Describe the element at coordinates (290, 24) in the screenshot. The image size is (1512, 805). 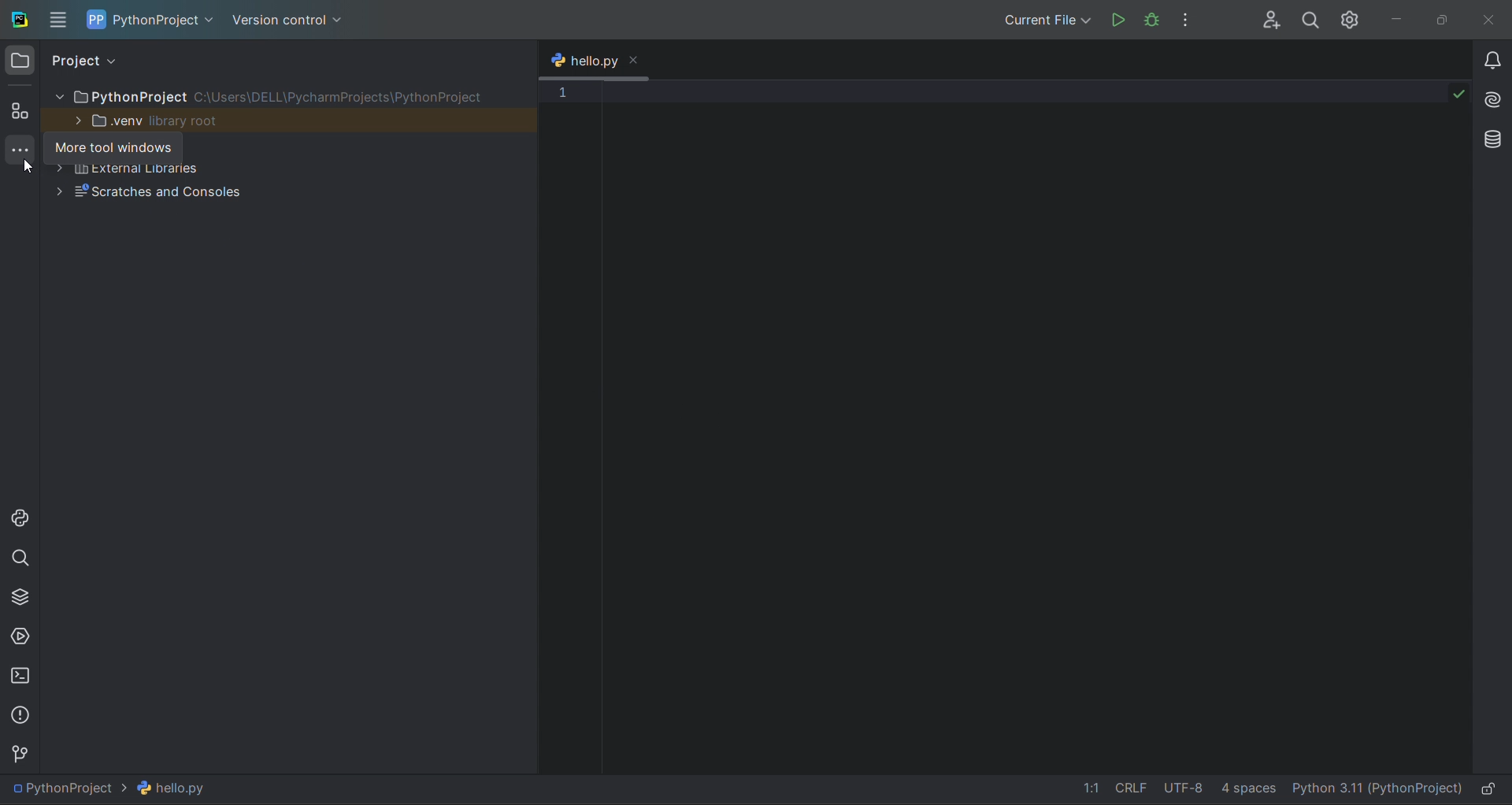
I see `version control` at that location.